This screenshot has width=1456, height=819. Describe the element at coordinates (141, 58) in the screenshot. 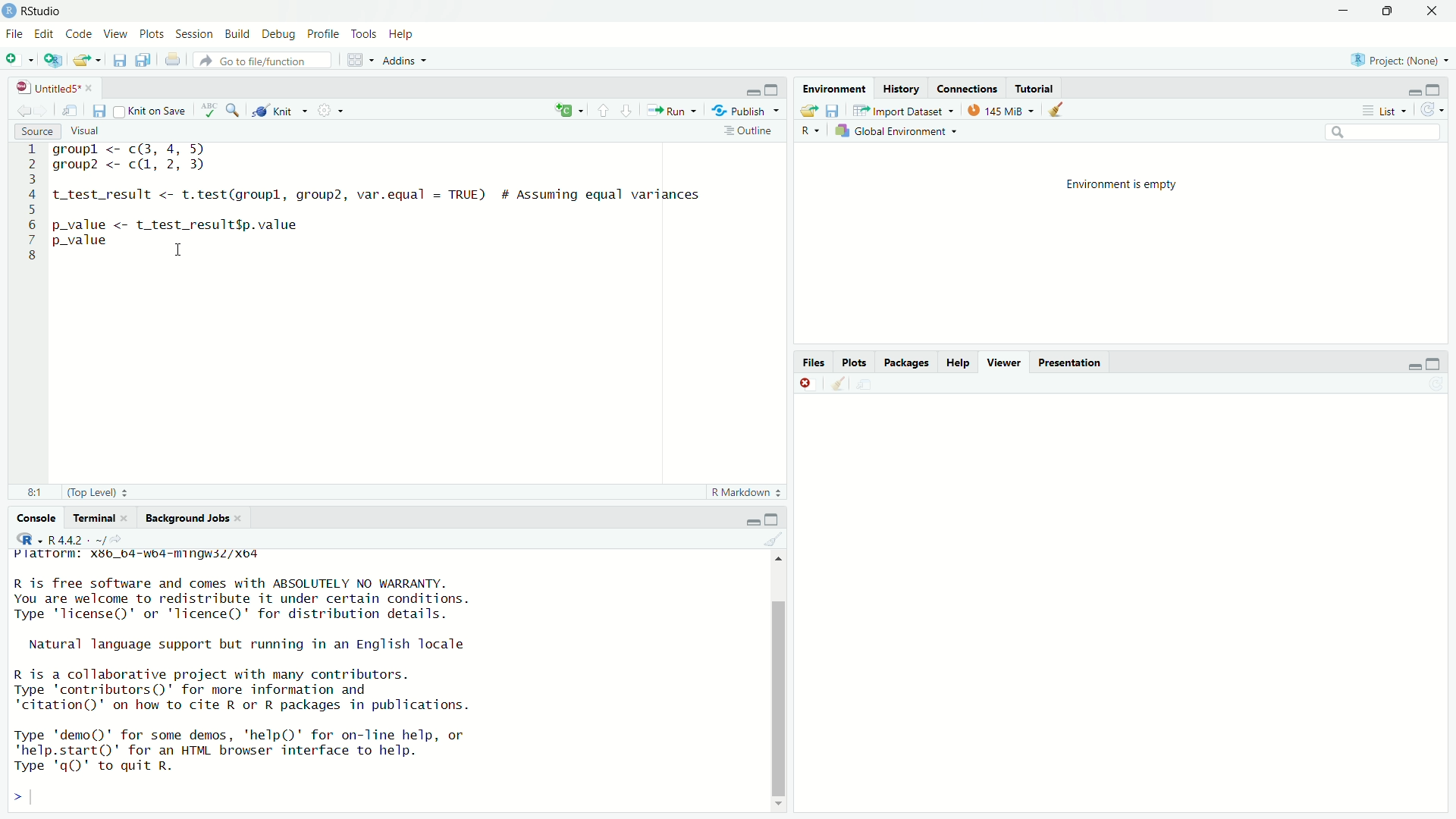

I see `save all open document` at that location.